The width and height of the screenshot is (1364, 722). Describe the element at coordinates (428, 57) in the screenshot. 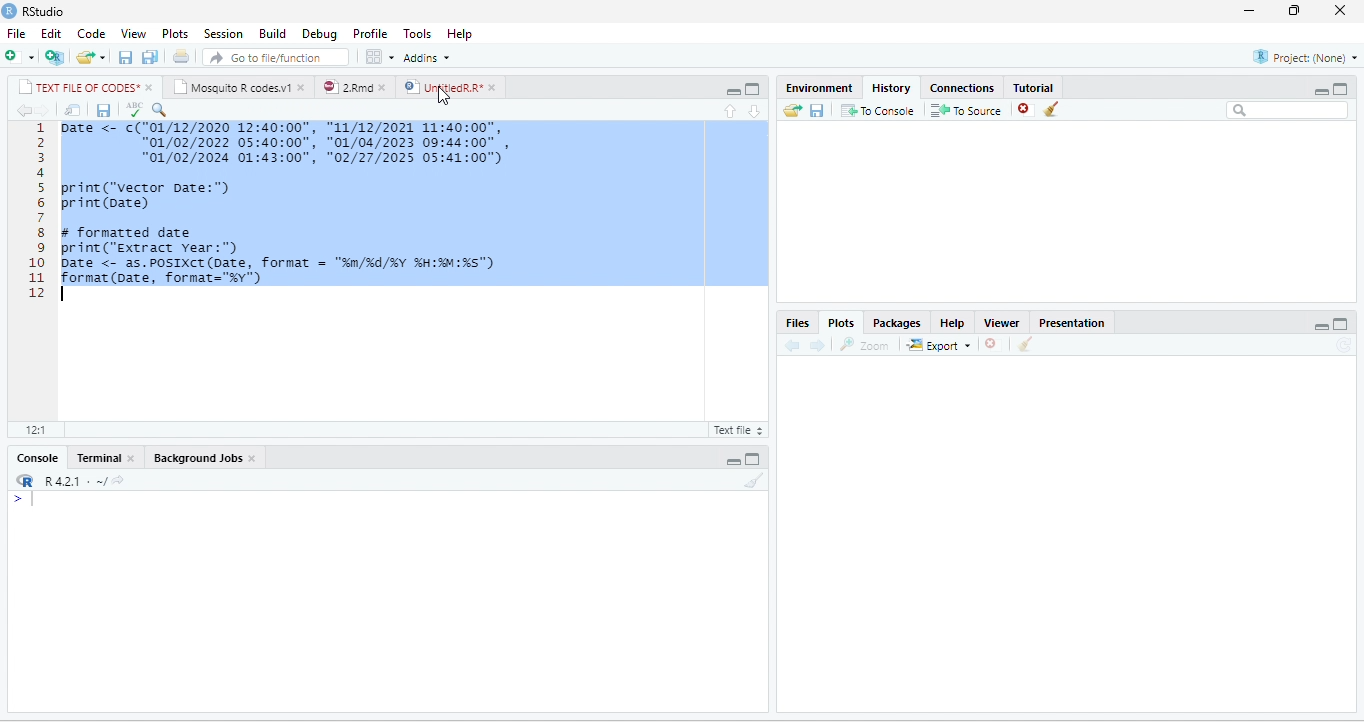

I see `Addins` at that location.